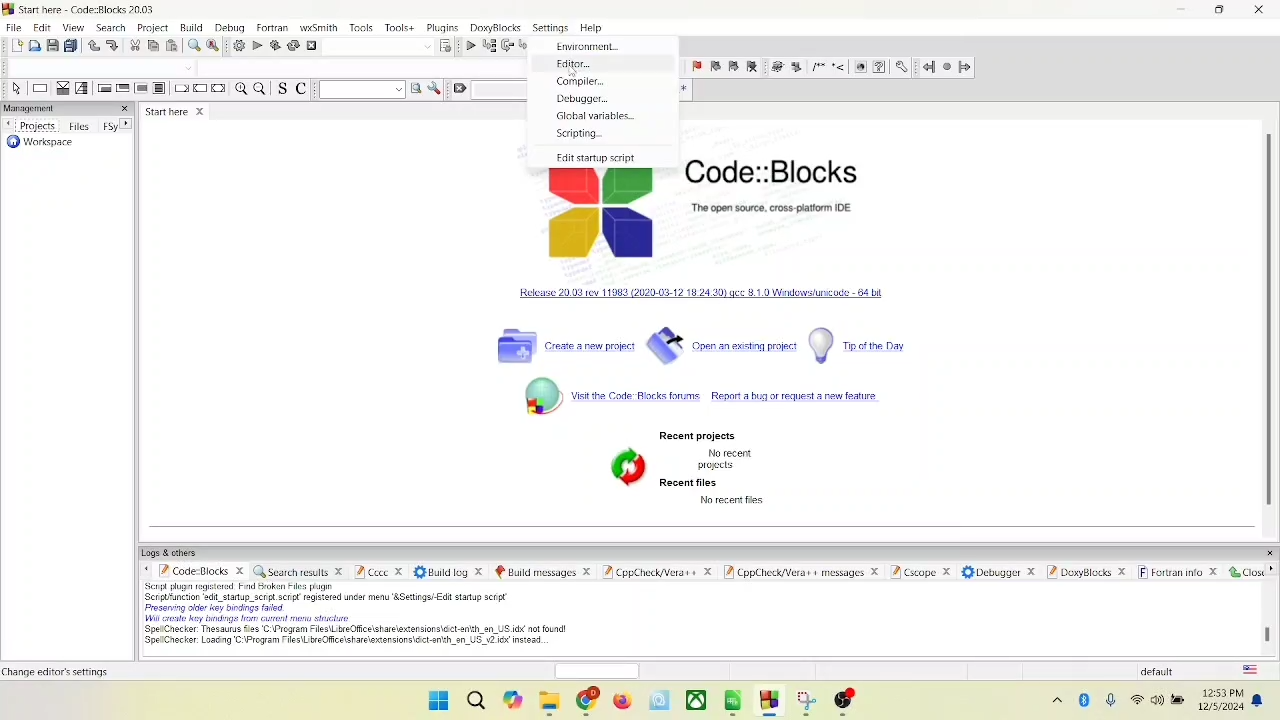 The height and width of the screenshot is (720, 1280). What do you see at coordinates (377, 570) in the screenshot?
I see `cccc` at bounding box center [377, 570].